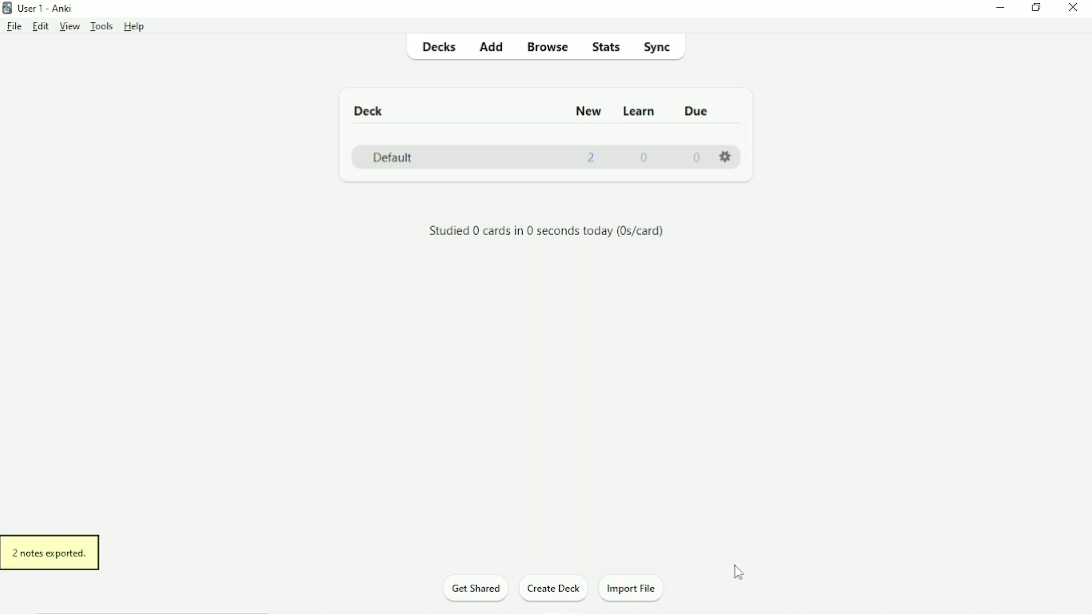 The image size is (1092, 614). I want to click on Default, so click(393, 159).